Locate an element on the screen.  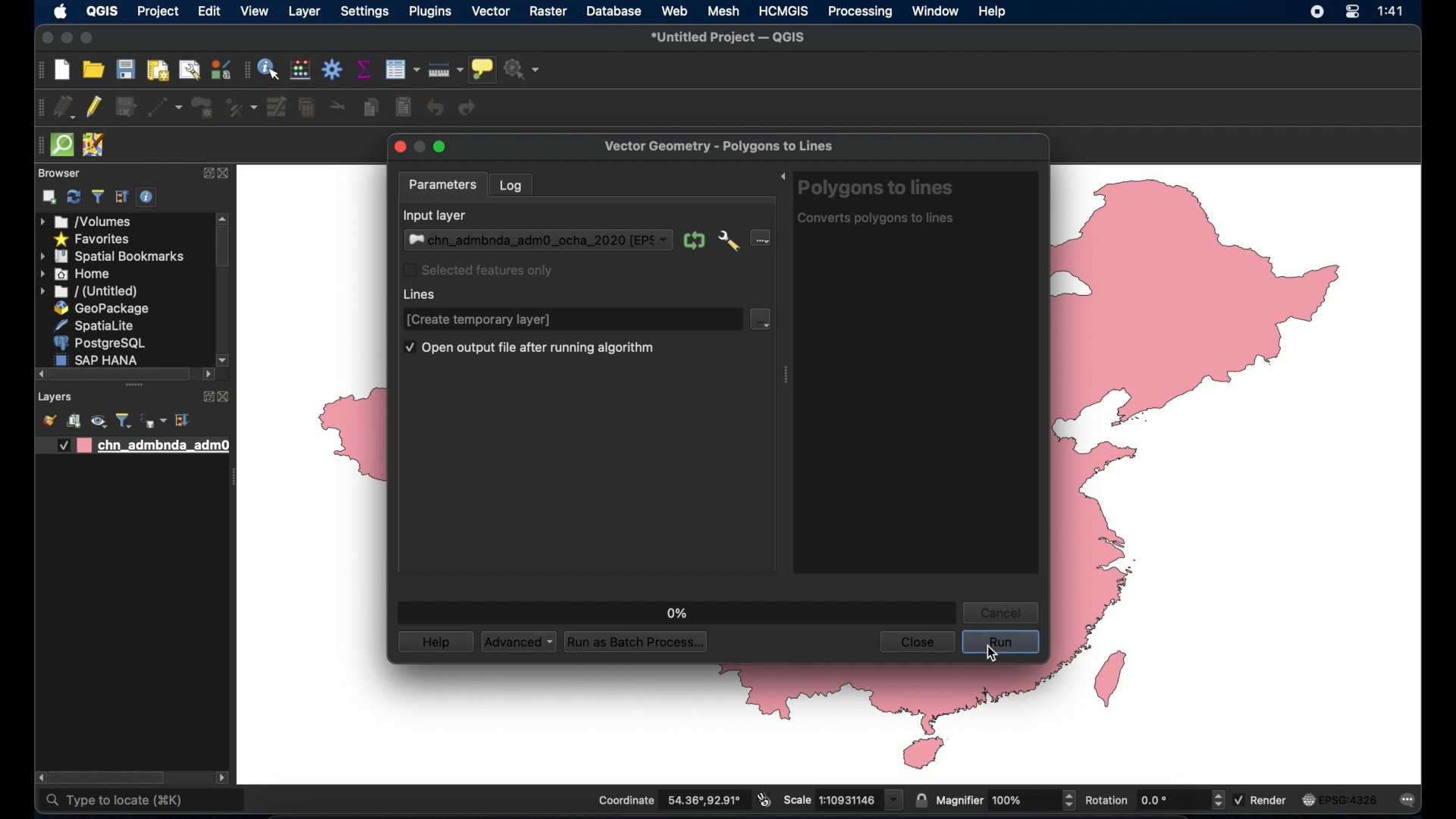
scroll up arrow is located at coordinates (223, 218).